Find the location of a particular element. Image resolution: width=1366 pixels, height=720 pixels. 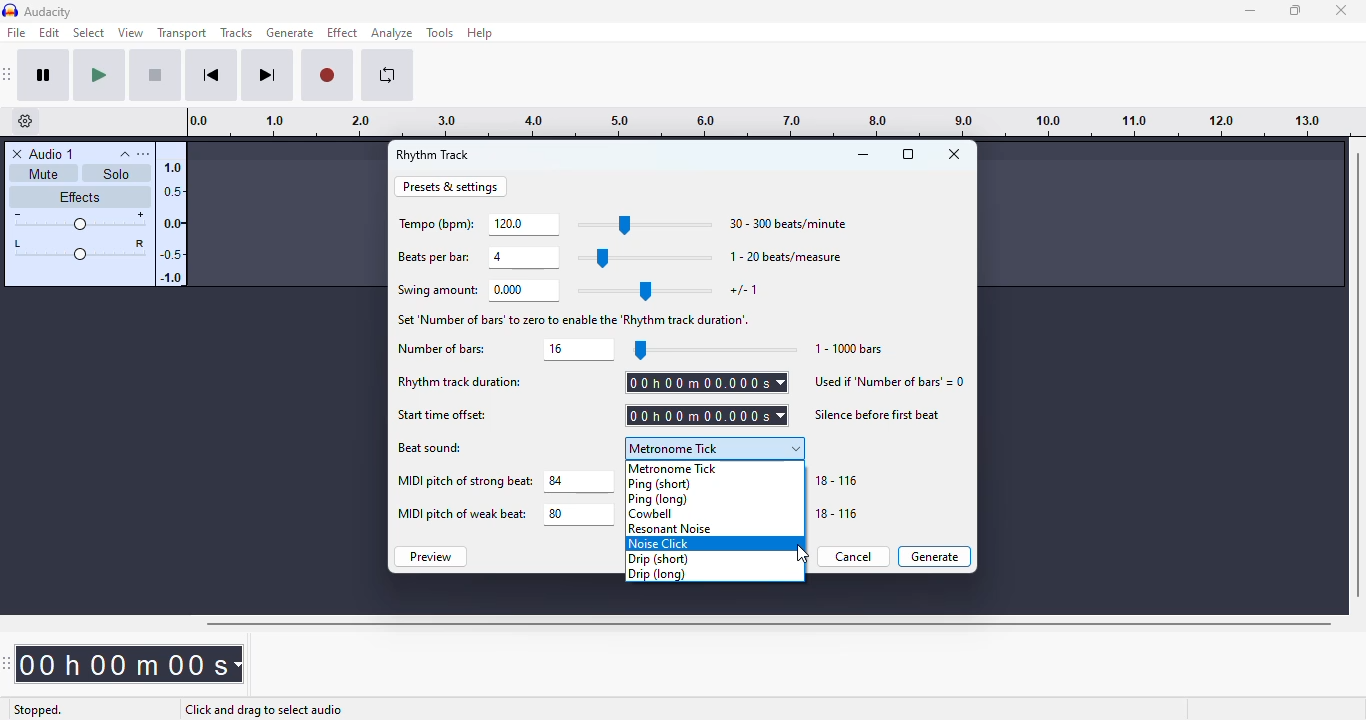

ping (short) is located at coordinates (710, 485).